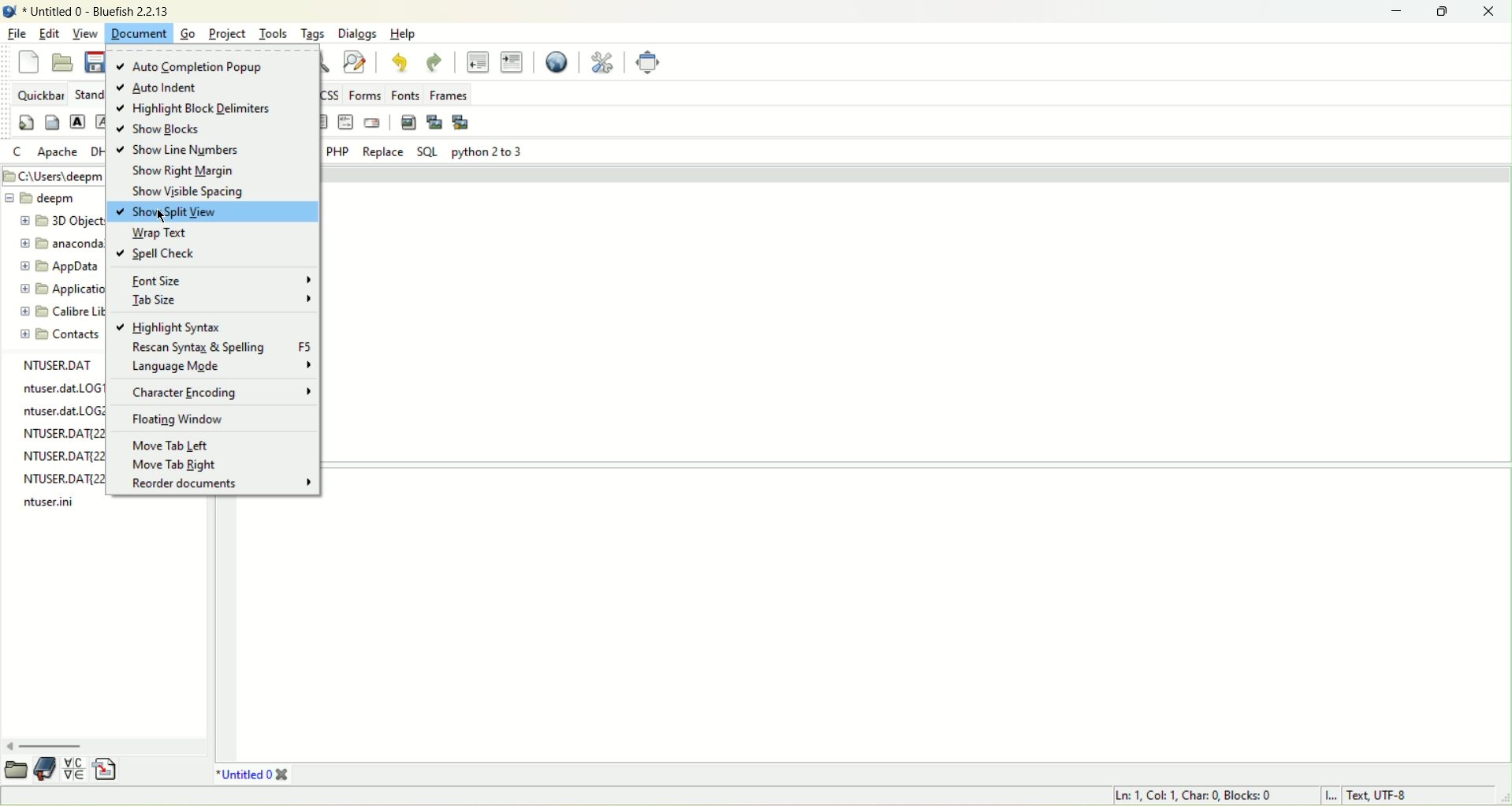 The width and height of the screenshot is (1512, 806). What do you see at coordinates (191, 190) in the screenshot?
I see `show visible spacing` at bounding box center [191, 190].